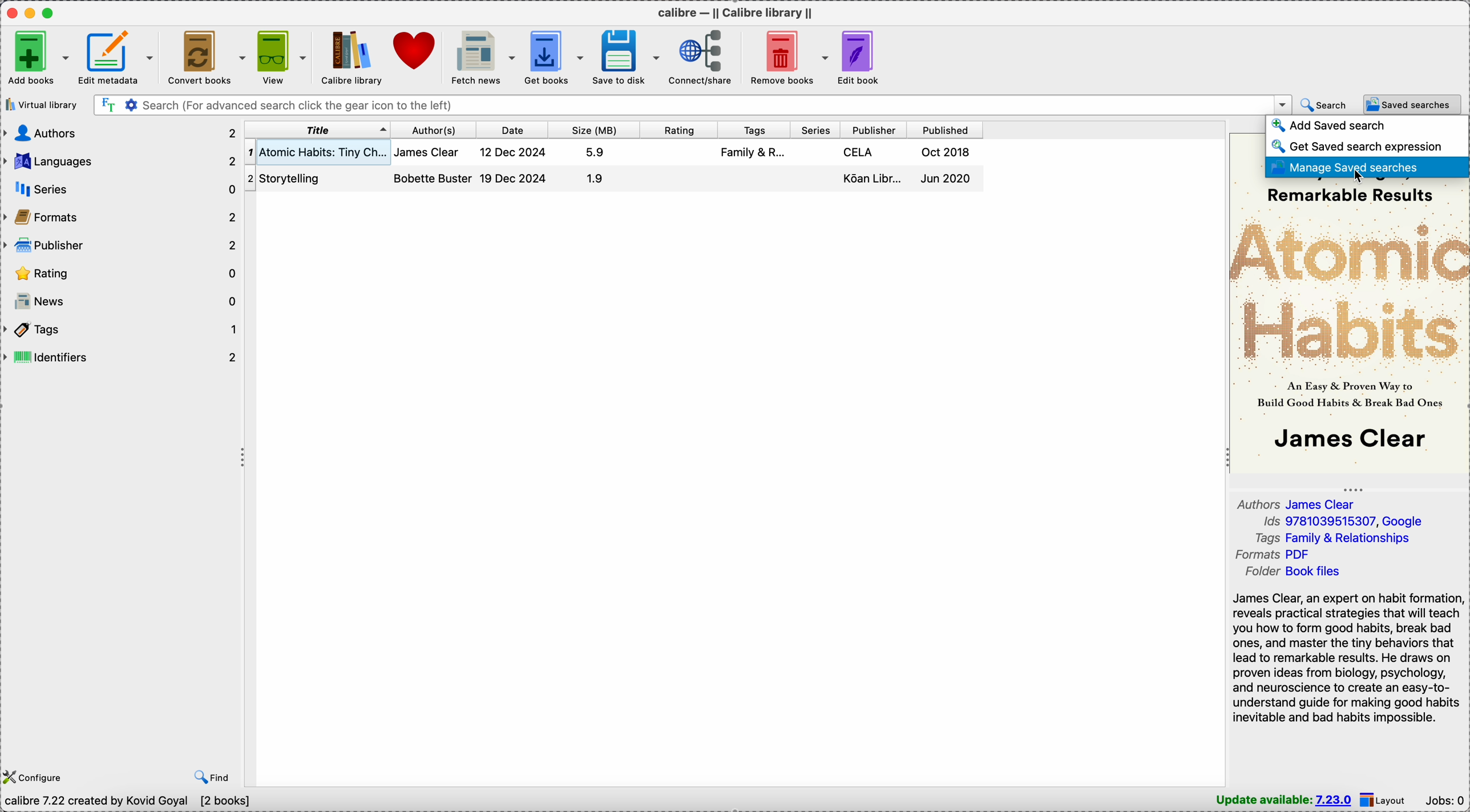 The height and width of the screenshot is (812, 1470). Describe the element at coordinates (350, 58) in the screenshot. I see `Calibre library` at that location.